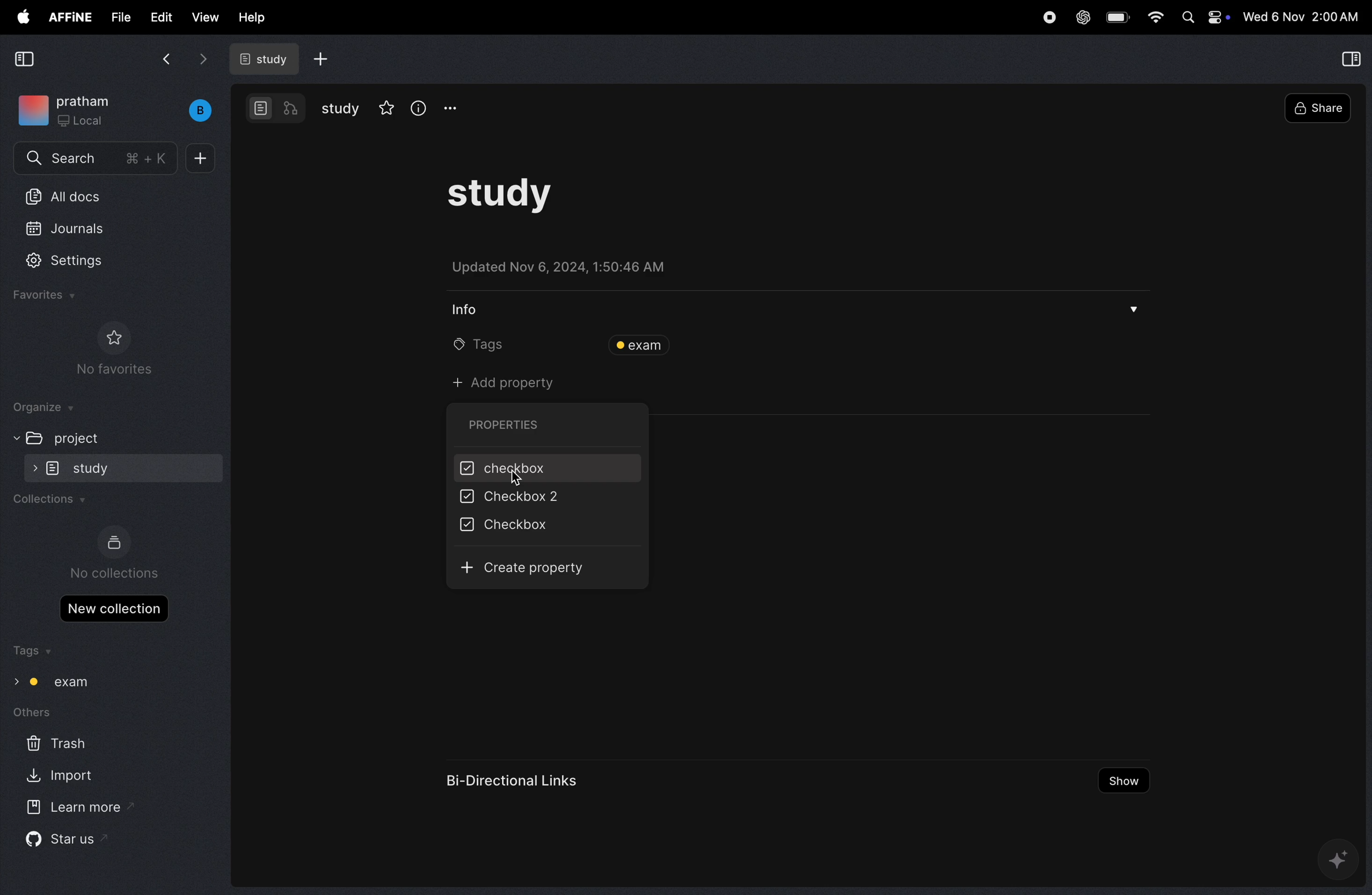  What do you see at coordinates (61, 776) in the screenshot?
I see `import` at bounding box center [61, 776].